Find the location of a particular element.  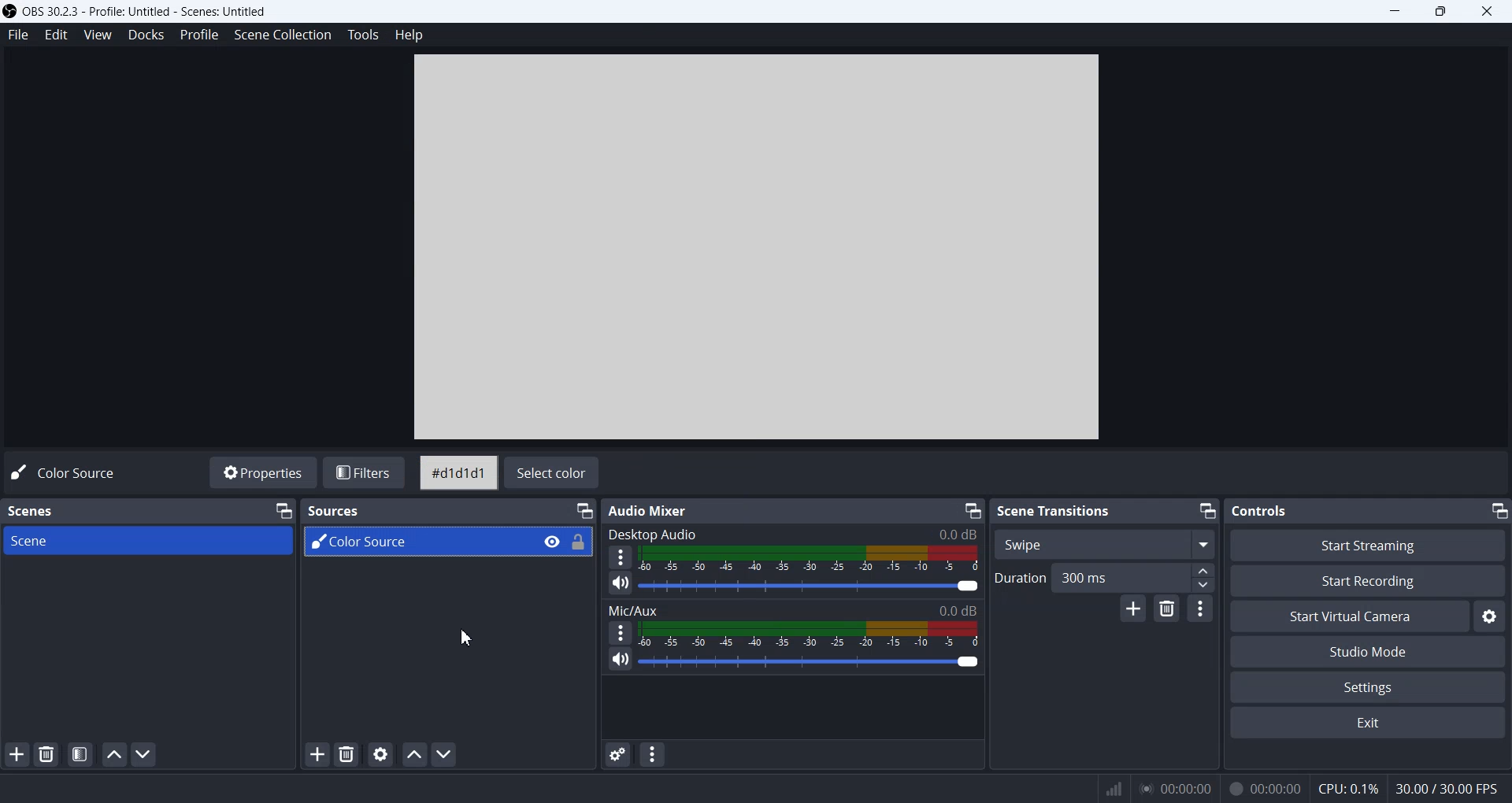

Minimize is located at coordinates (1396, 12).